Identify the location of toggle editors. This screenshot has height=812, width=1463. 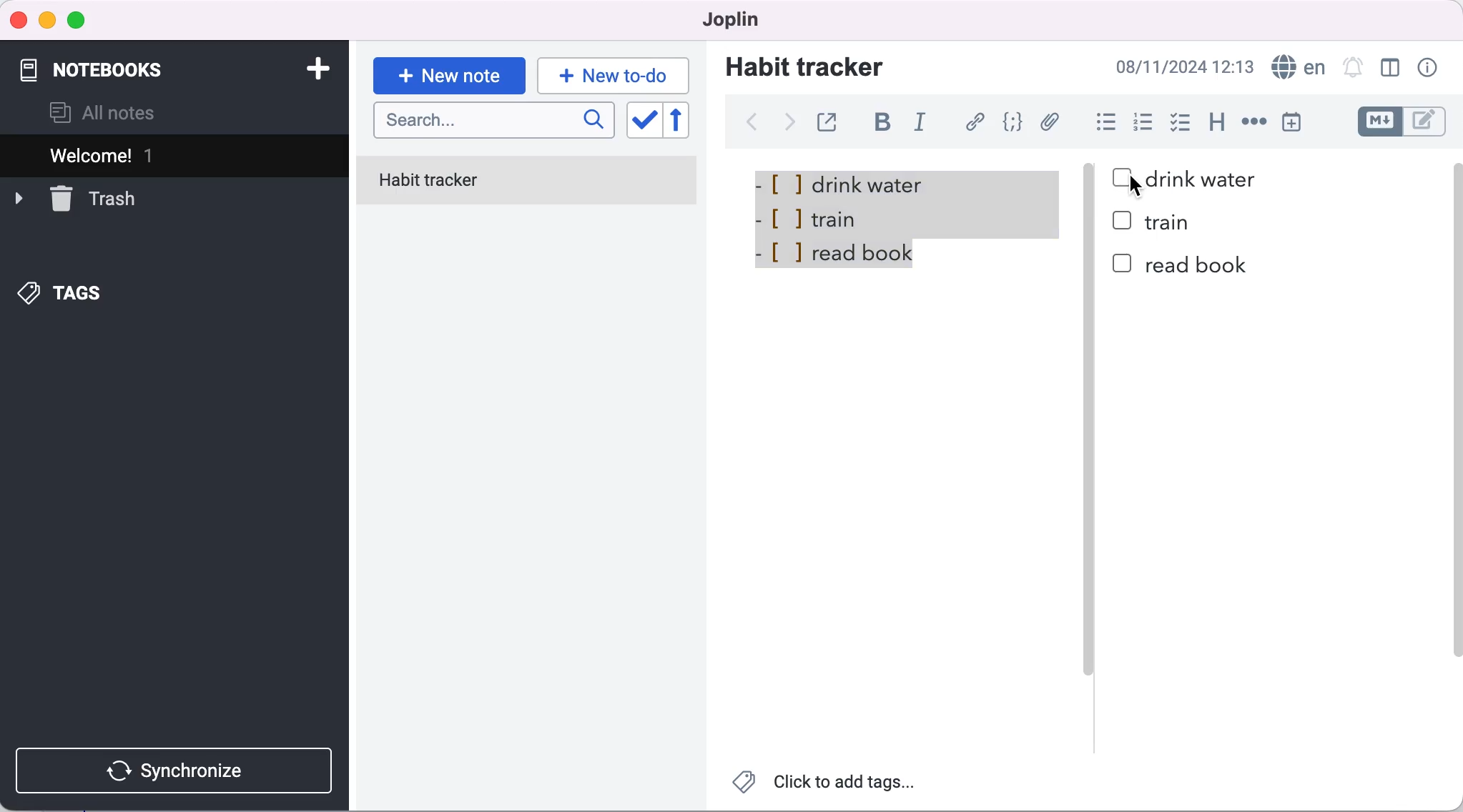
(1404, 122).